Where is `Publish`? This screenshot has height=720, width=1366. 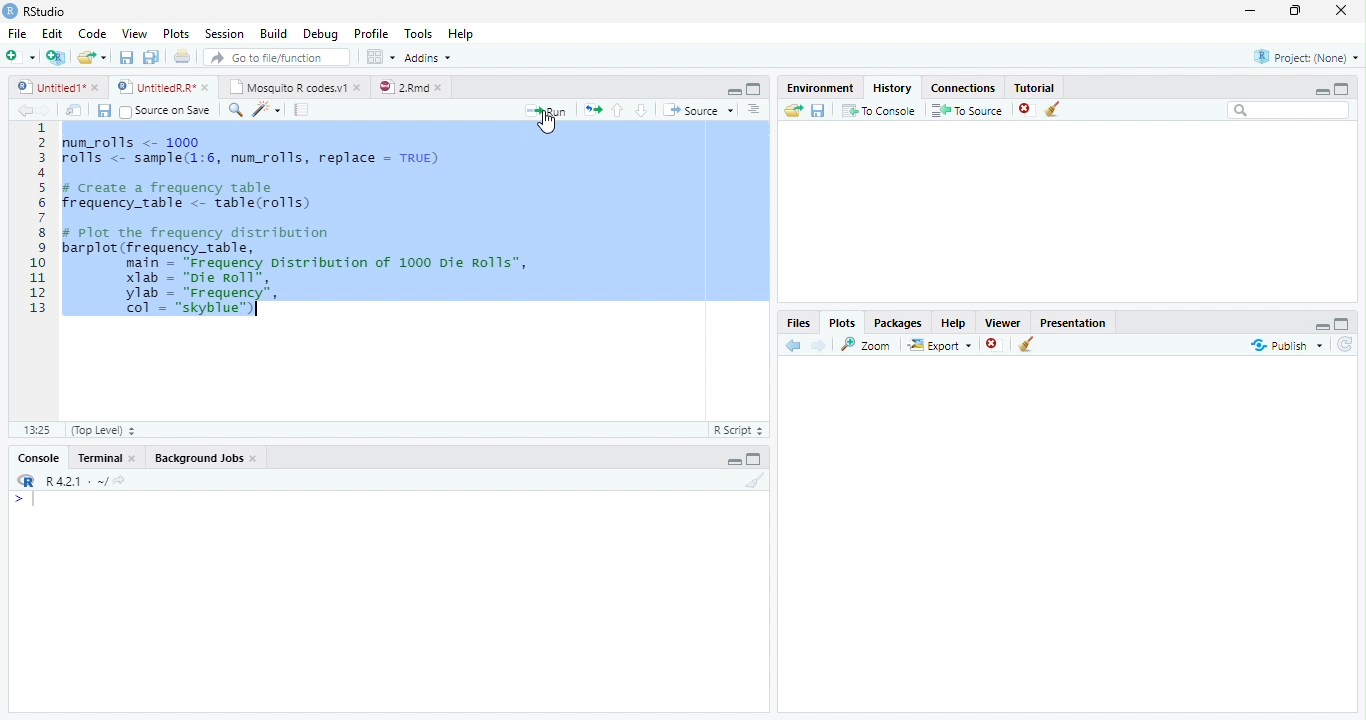 Publish is located at coordinates (1284, 346).